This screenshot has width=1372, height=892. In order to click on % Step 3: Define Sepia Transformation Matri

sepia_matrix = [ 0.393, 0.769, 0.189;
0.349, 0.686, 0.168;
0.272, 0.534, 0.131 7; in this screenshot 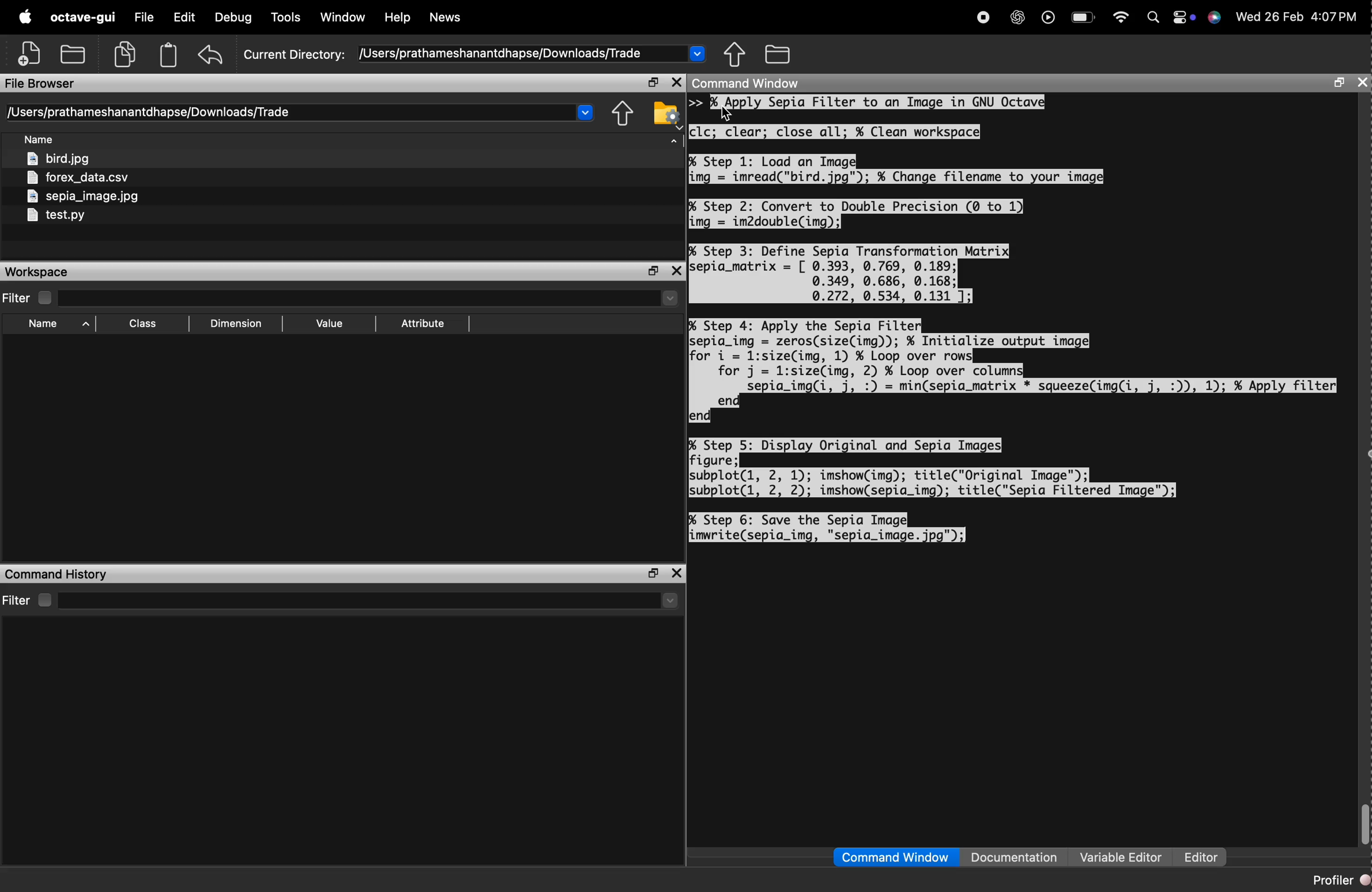, I will do `click(851, 273)`.